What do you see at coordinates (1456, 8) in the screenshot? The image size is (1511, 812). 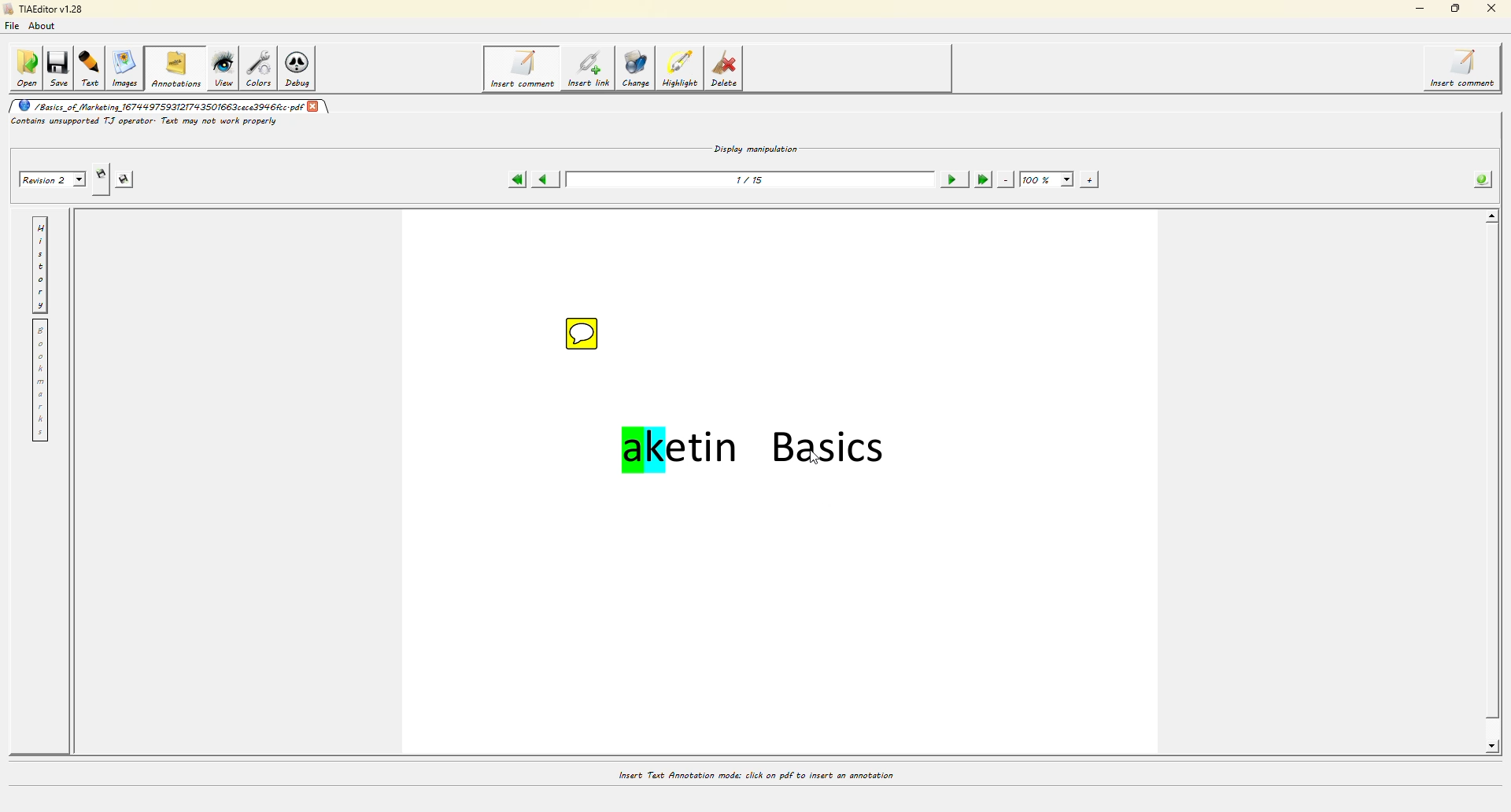 I see `maximize` at bounding box center [1456, 8].